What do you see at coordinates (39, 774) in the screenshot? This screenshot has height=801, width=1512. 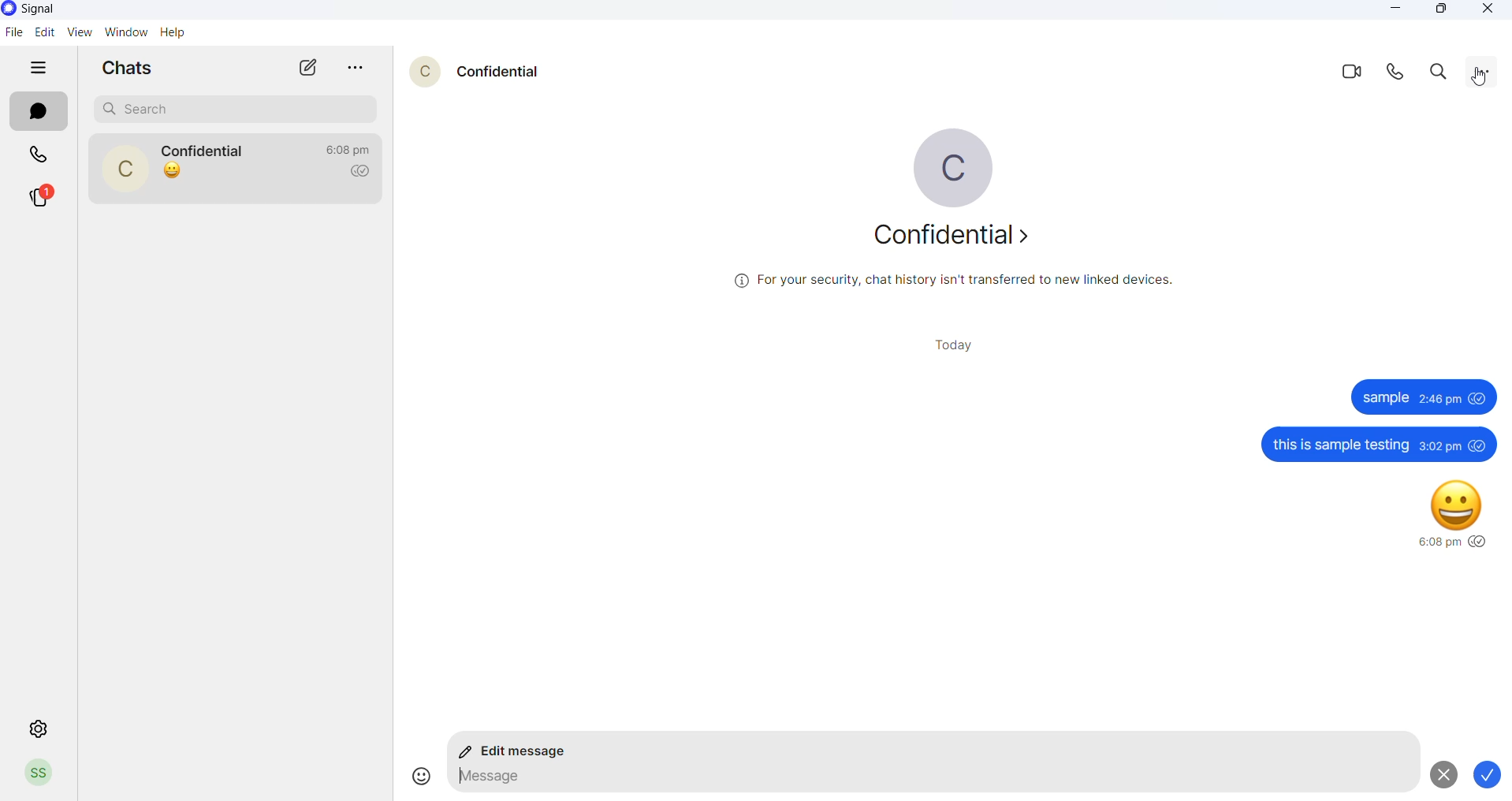 I see `profile picture` at bounding box center [39, 774].